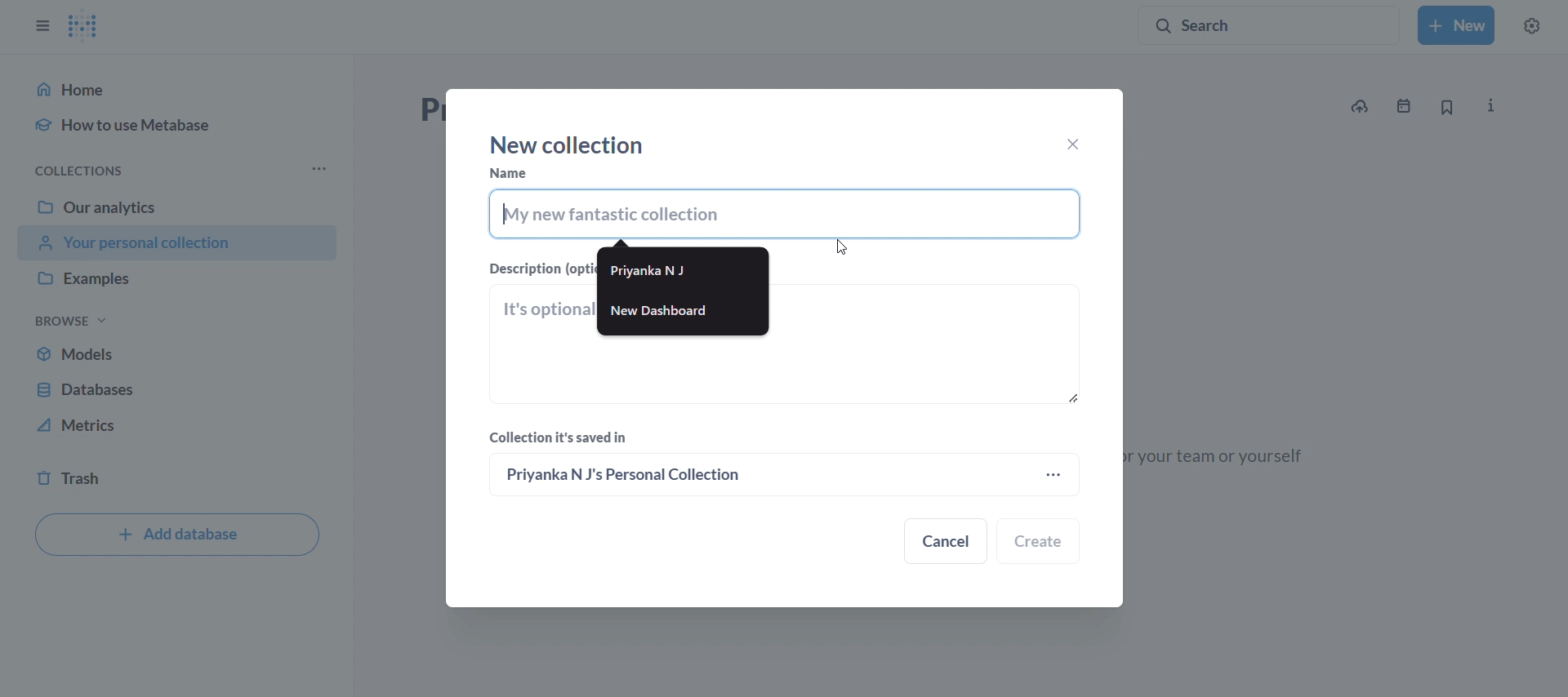 The height and width of the screenshot is (697, 1568). Describe the element at coordinates (687, 273) in the screenshot. I see `Priyanka NJ` at that location.